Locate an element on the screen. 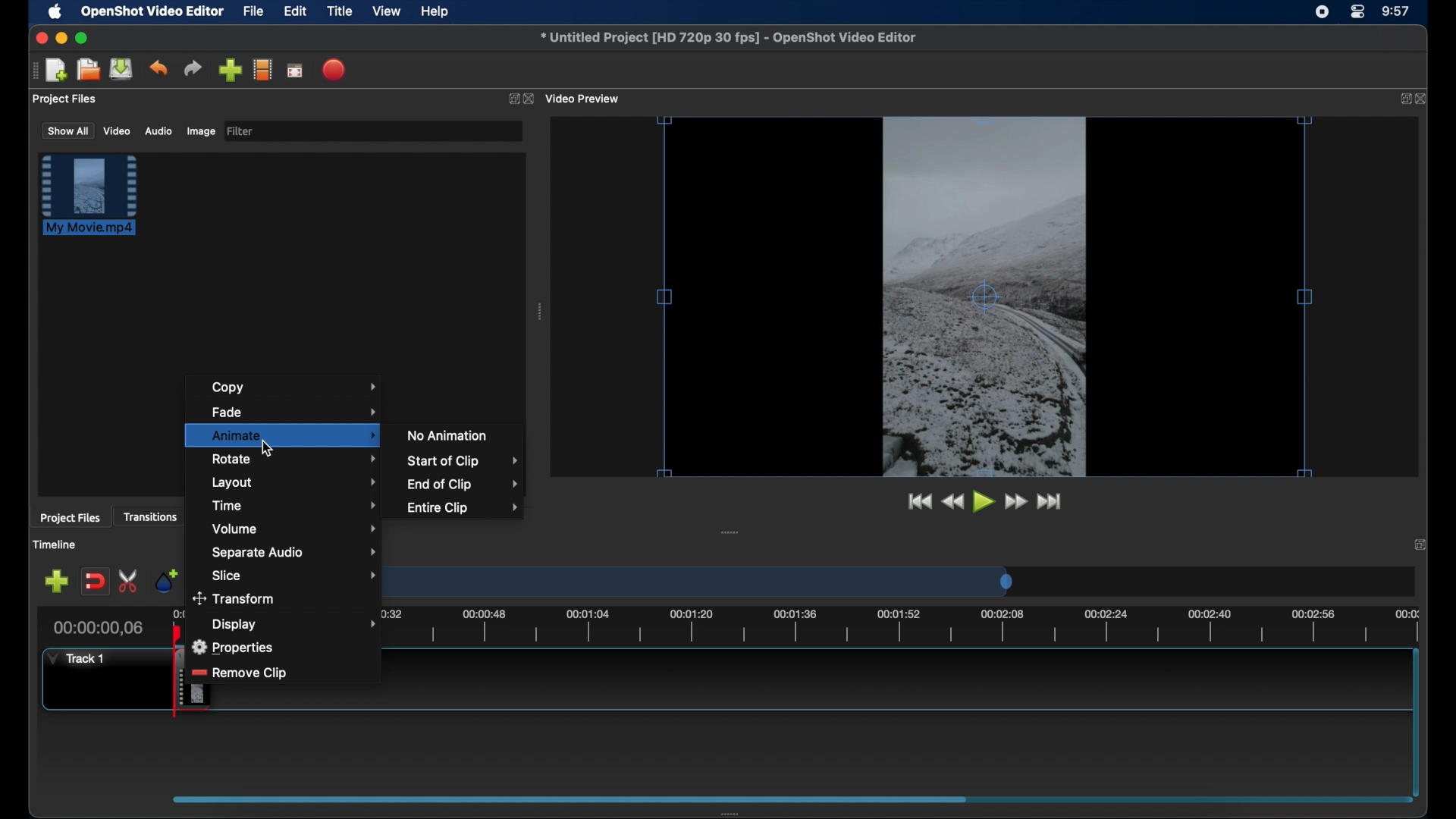  no animation is located at coordinates (448, 435).